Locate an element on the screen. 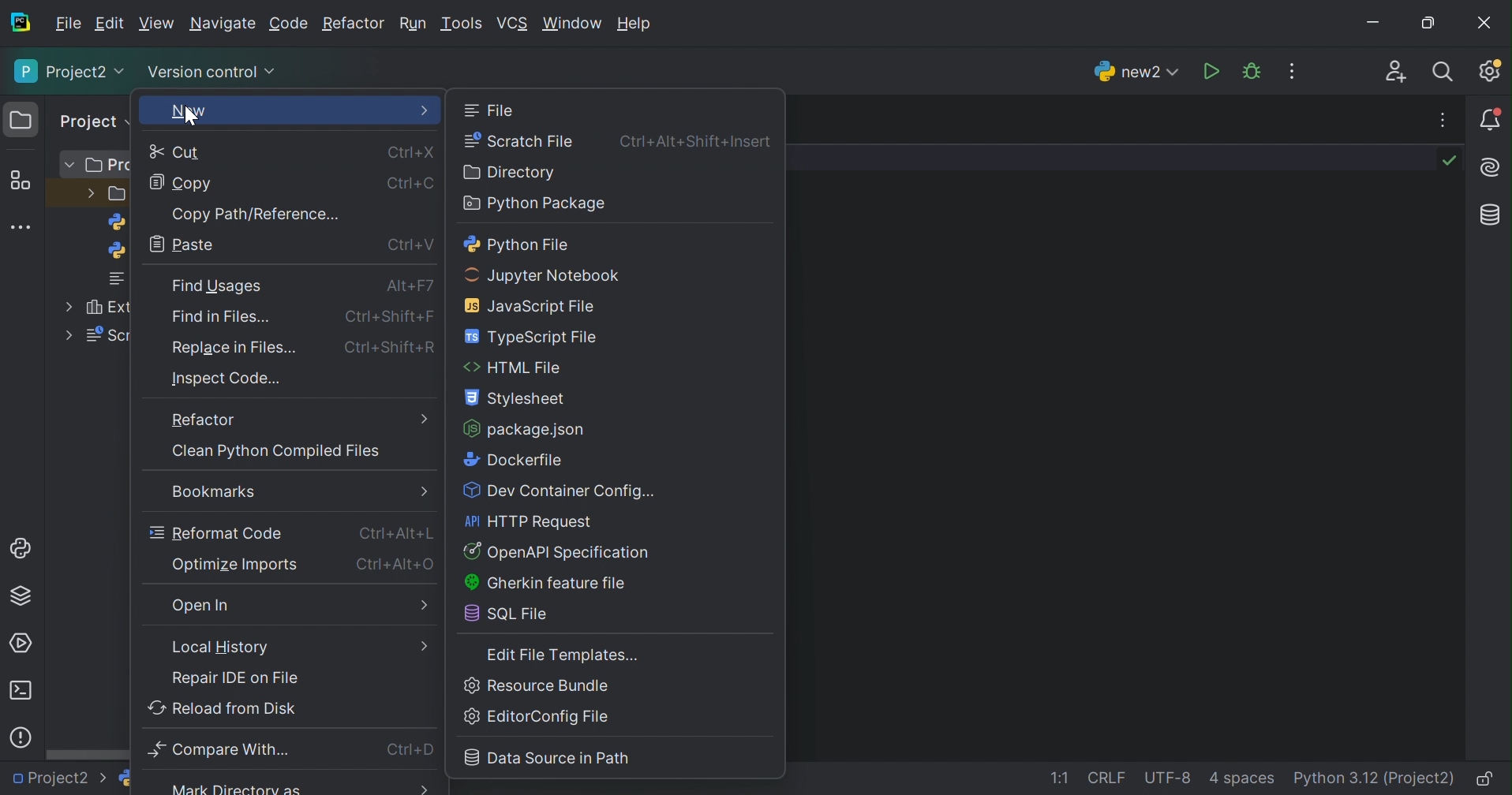  Python 3.12 (Project) is located at coordinates (1375, 778).